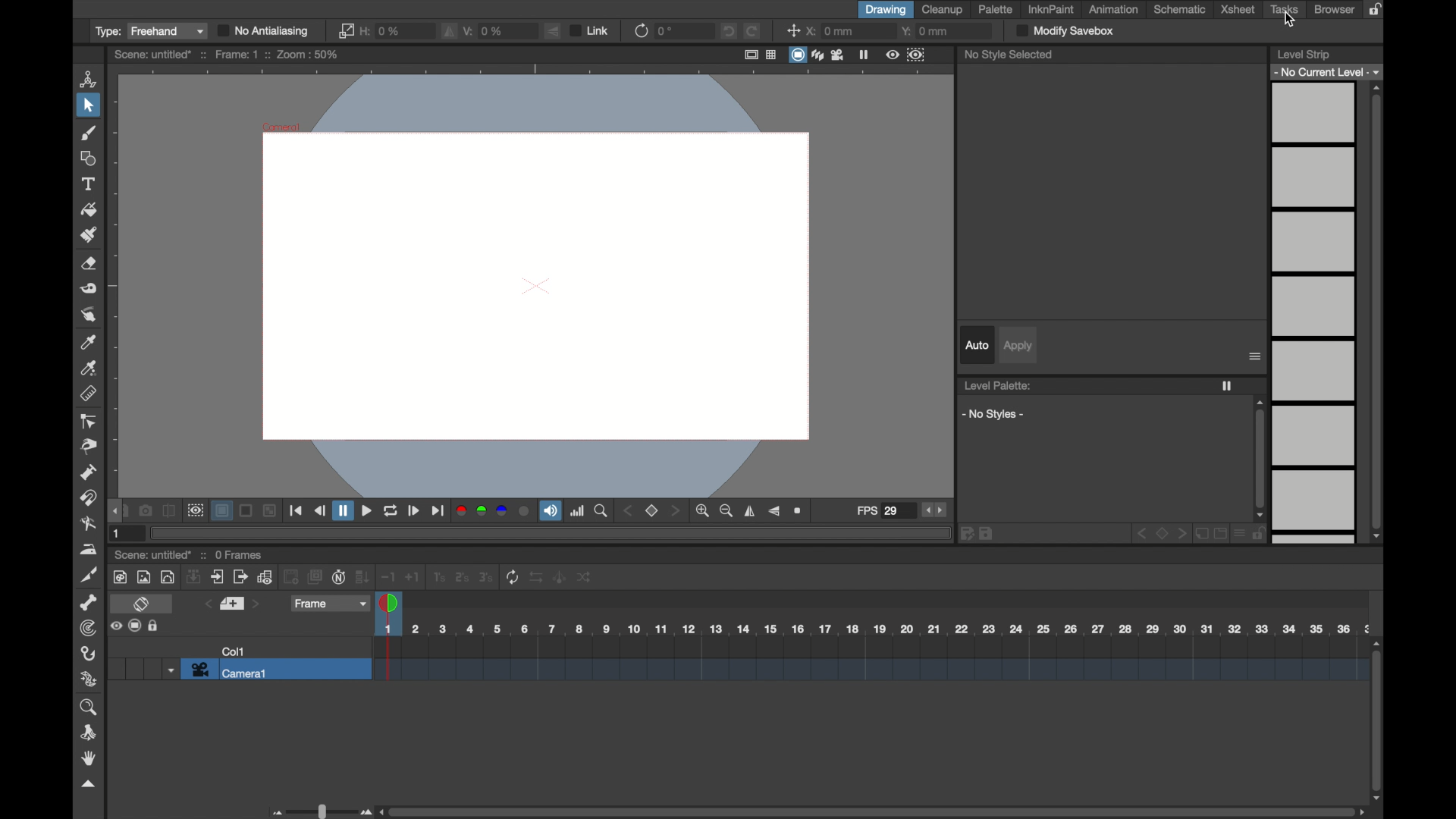 The width and height of the screenshot is (1456, 819). What do you see at coordinates (88, 422) in the screenshot?
I see `control point editor tool` at bounding box center [88, 422].